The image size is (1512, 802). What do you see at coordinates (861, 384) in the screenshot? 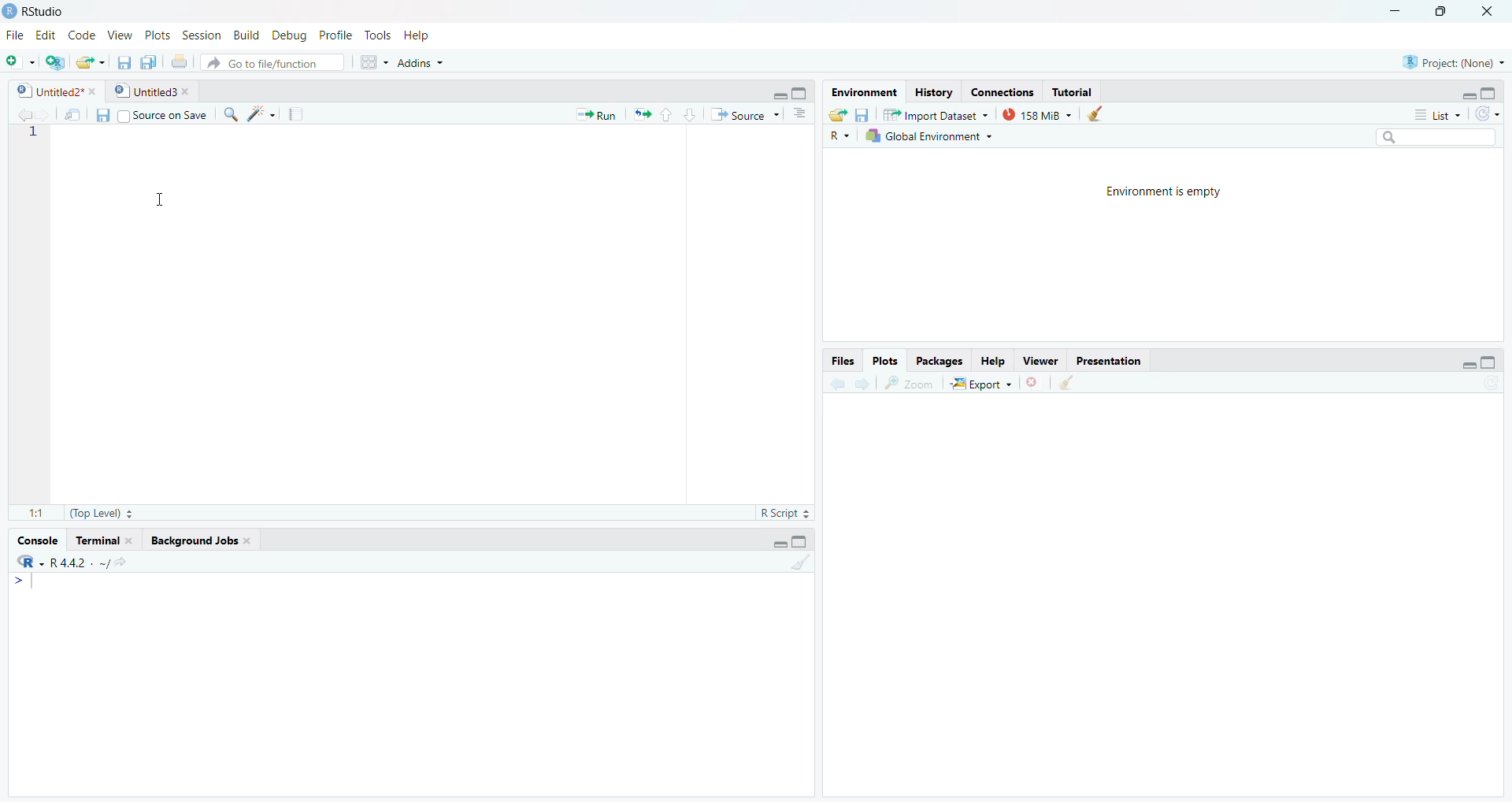
I see `Backward` at bounding box center [861, 384].